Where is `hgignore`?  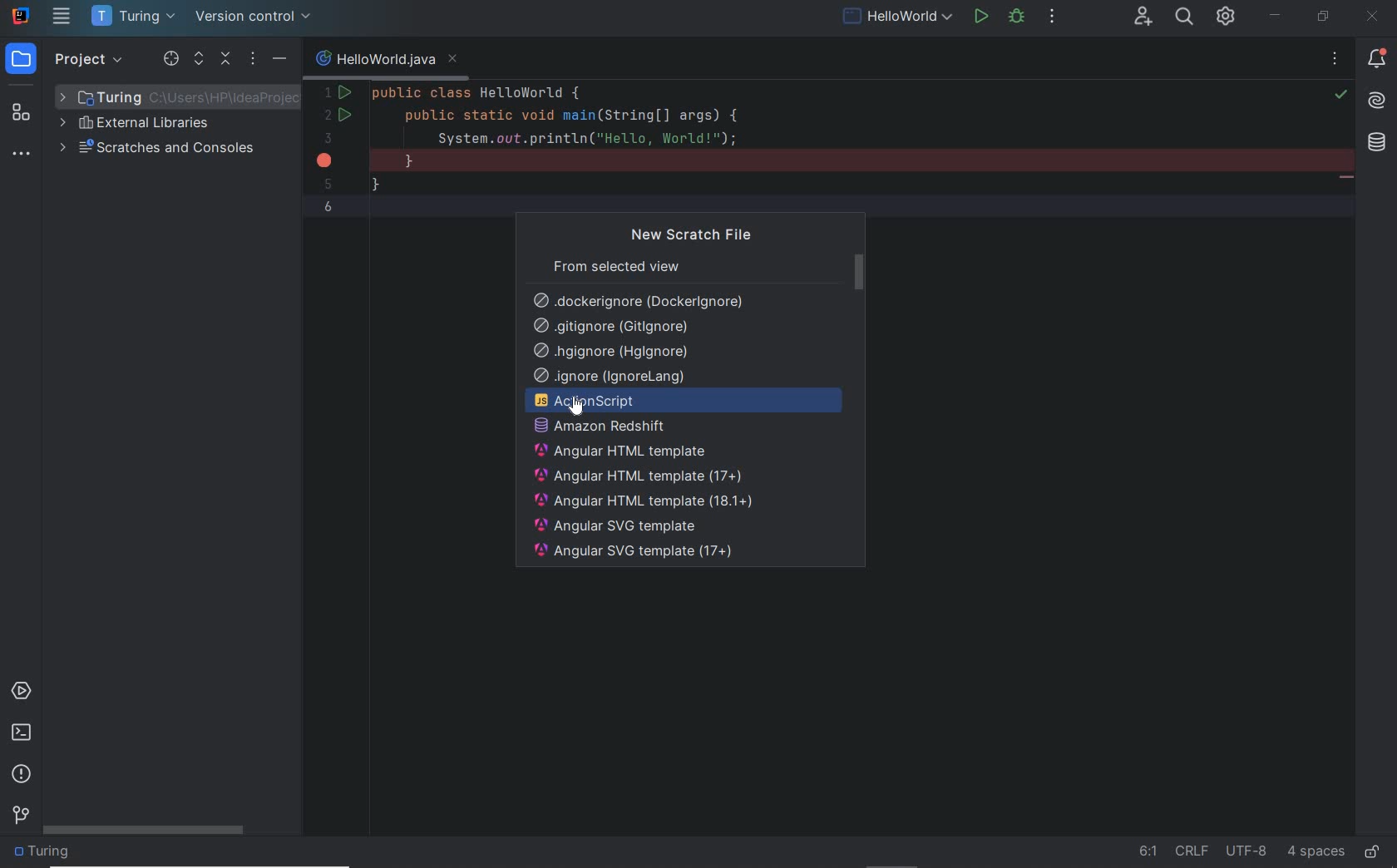
hgignore is located at coordinates (612, 353).